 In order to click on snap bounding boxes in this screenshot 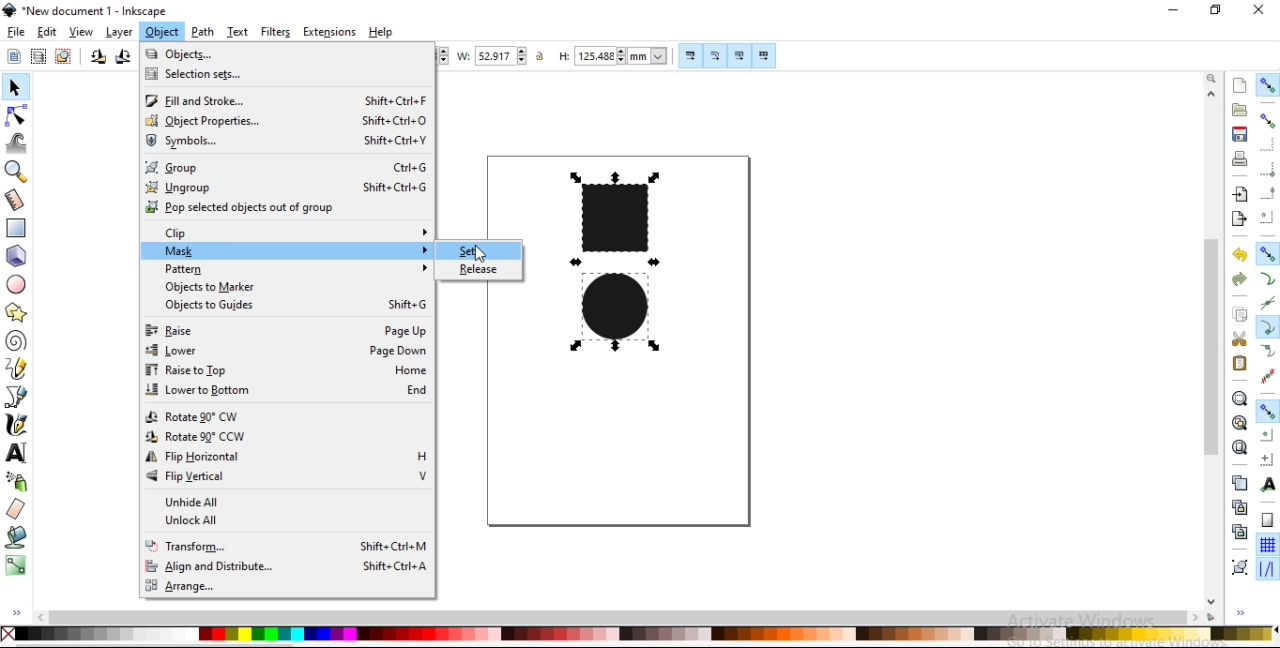, I will do `click(1267, 119)`.